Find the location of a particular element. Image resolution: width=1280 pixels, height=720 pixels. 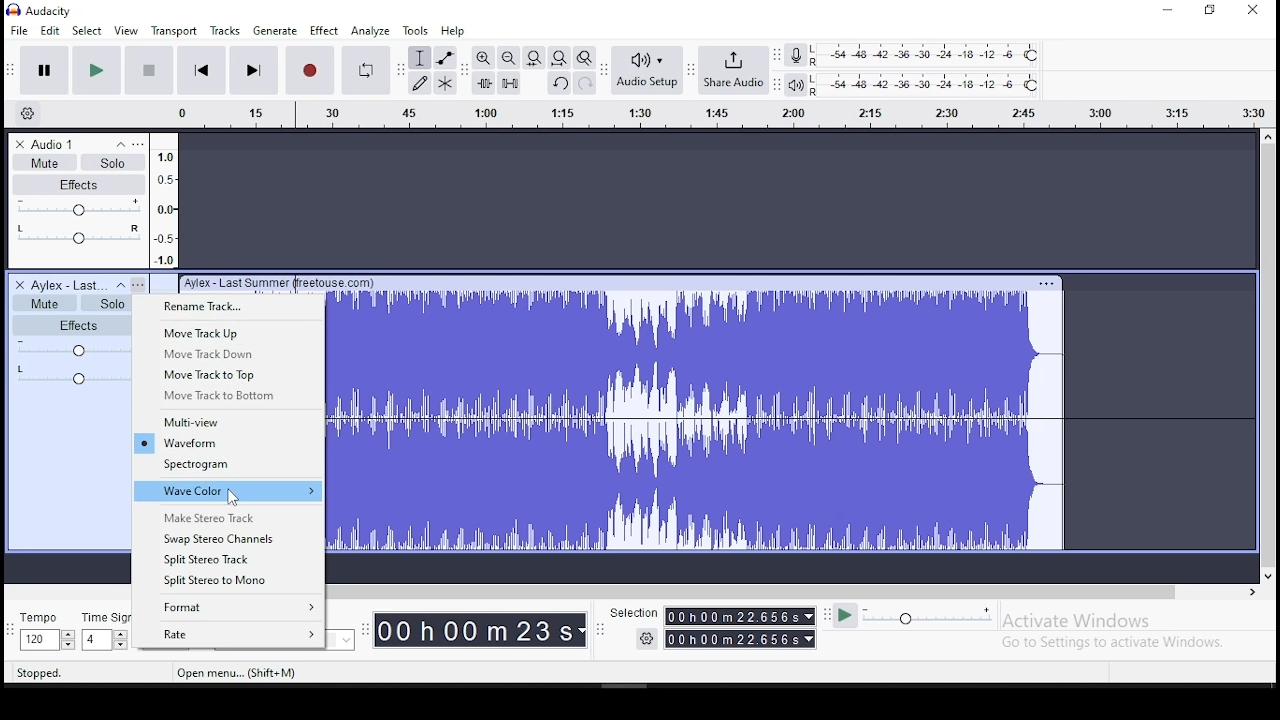

L is located at coordinates (818, 79).